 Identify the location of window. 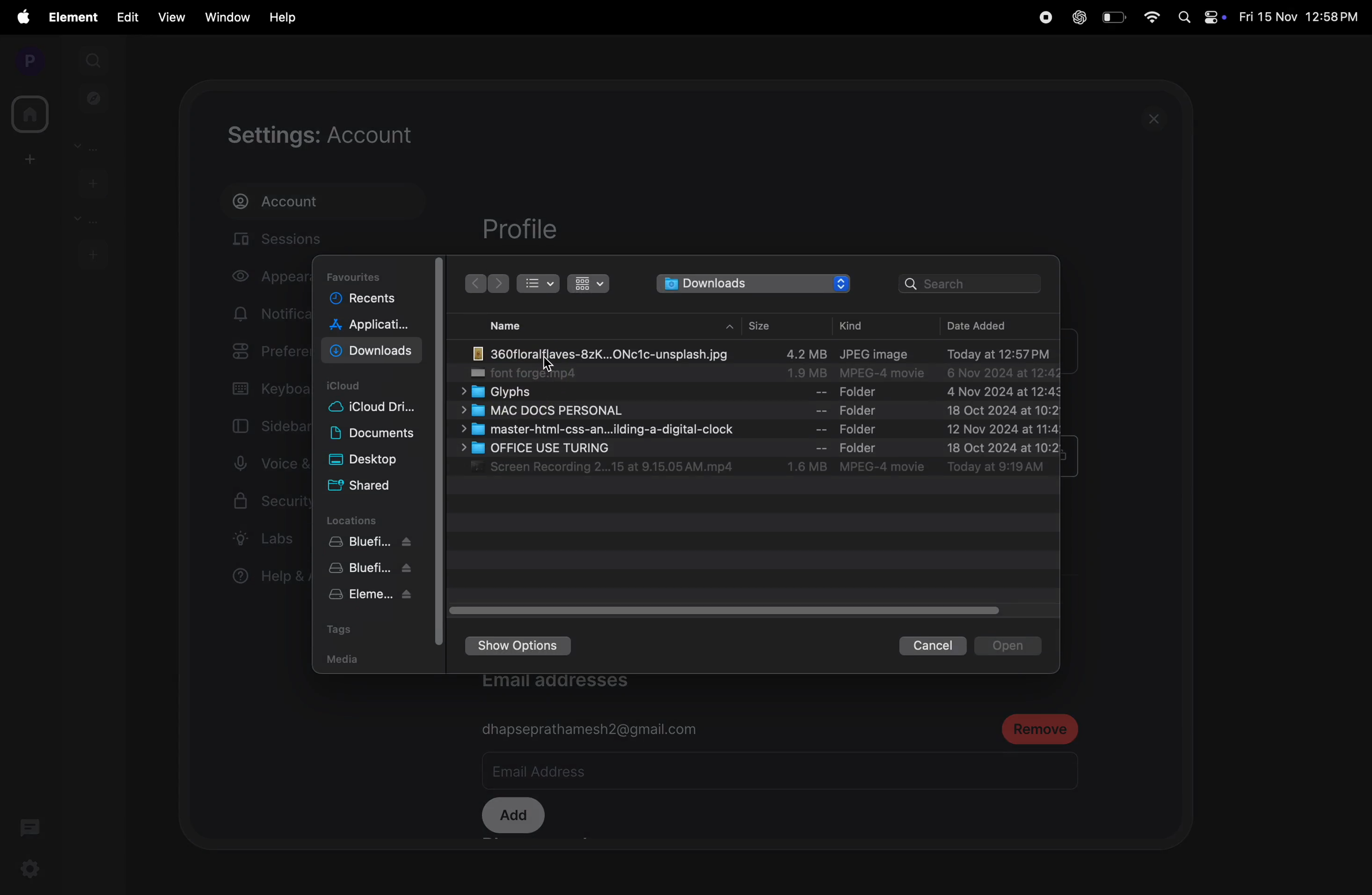
(225, 16).